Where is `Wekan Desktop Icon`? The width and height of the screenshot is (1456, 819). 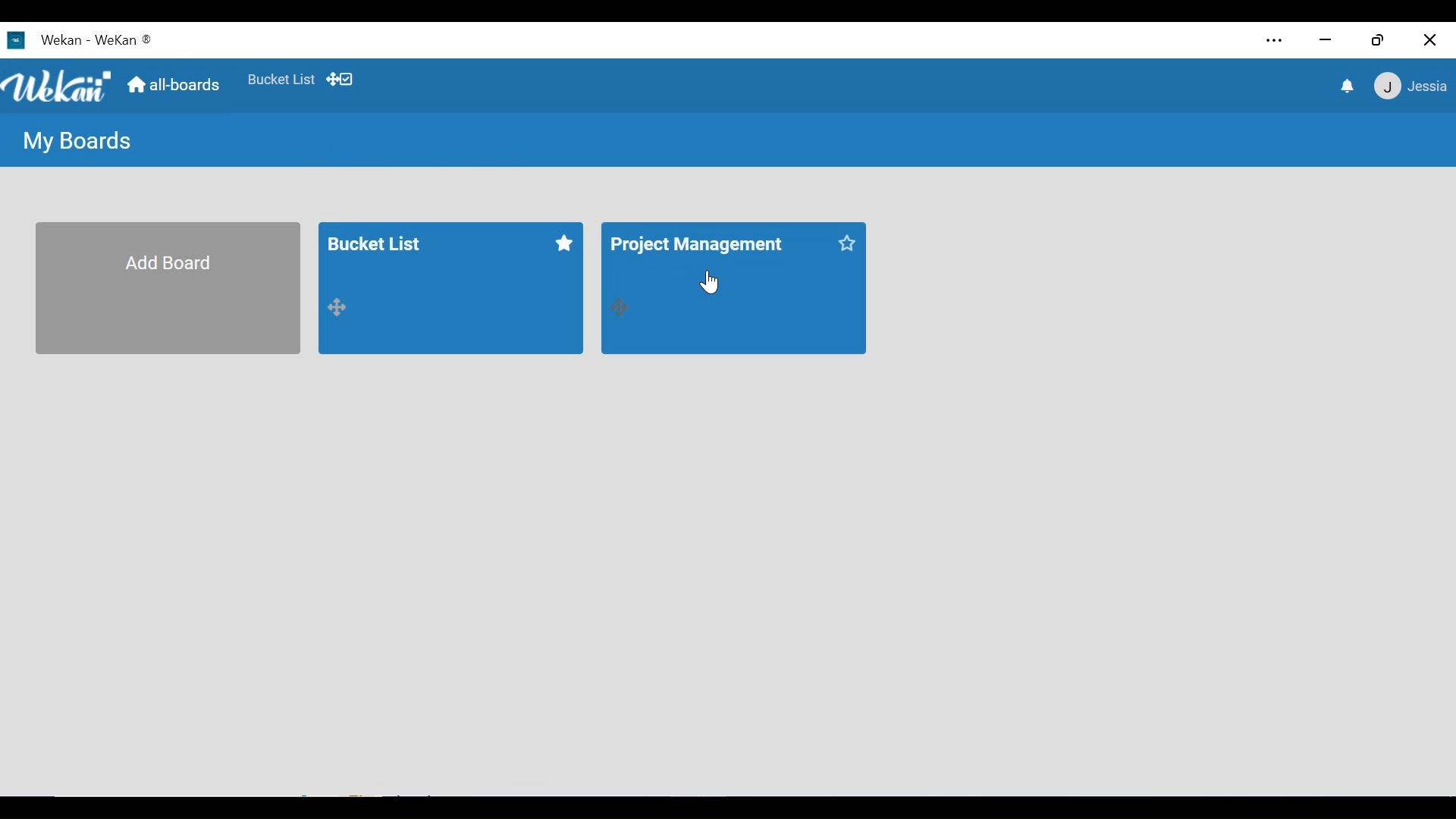
Wekan Desktop Icon is located at coordinates (83, 39).